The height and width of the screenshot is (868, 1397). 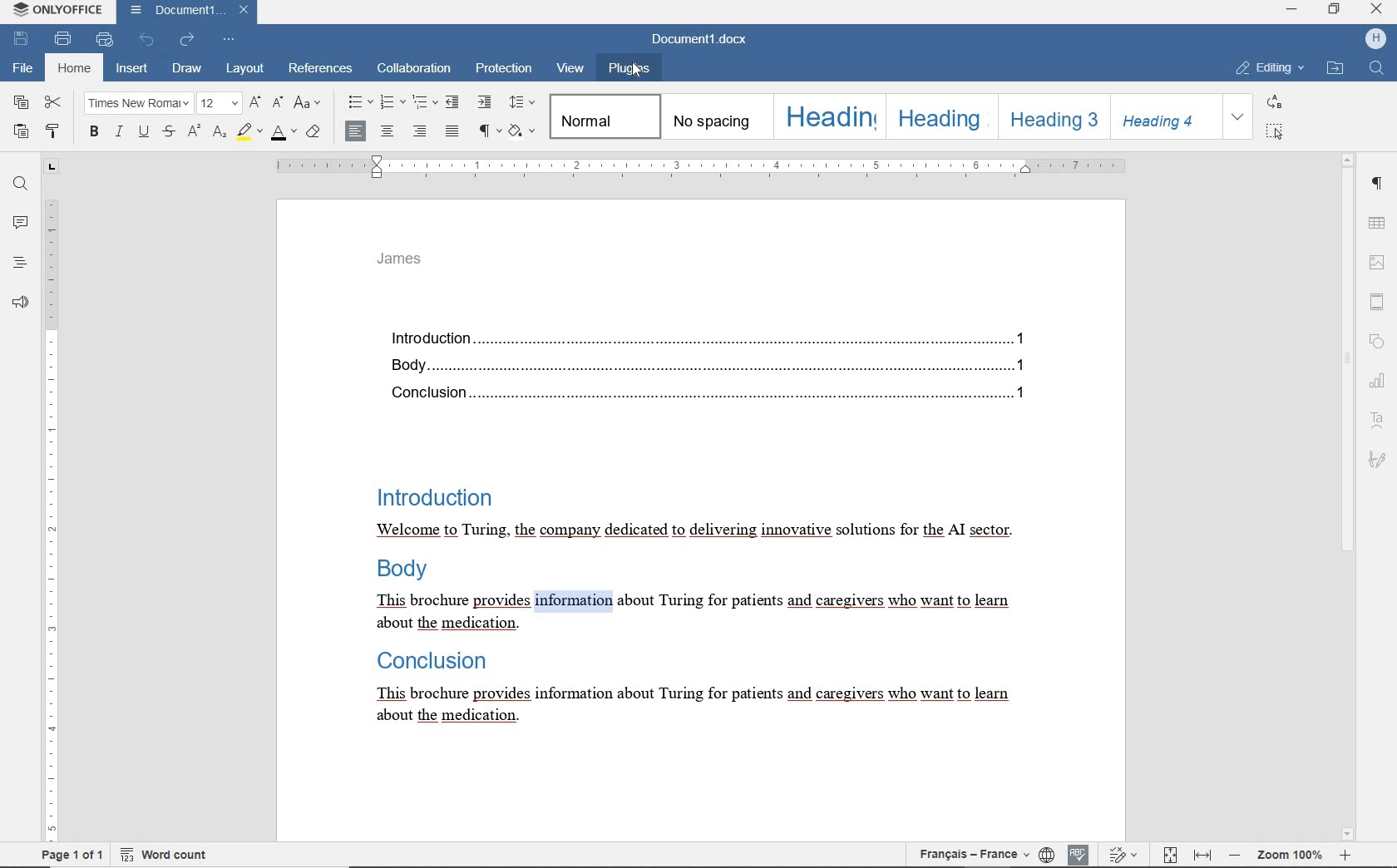 What do you see at coordinates (714, 116) in the screenshot?
I see `NO SPACING` at bounding box center [714, 116].